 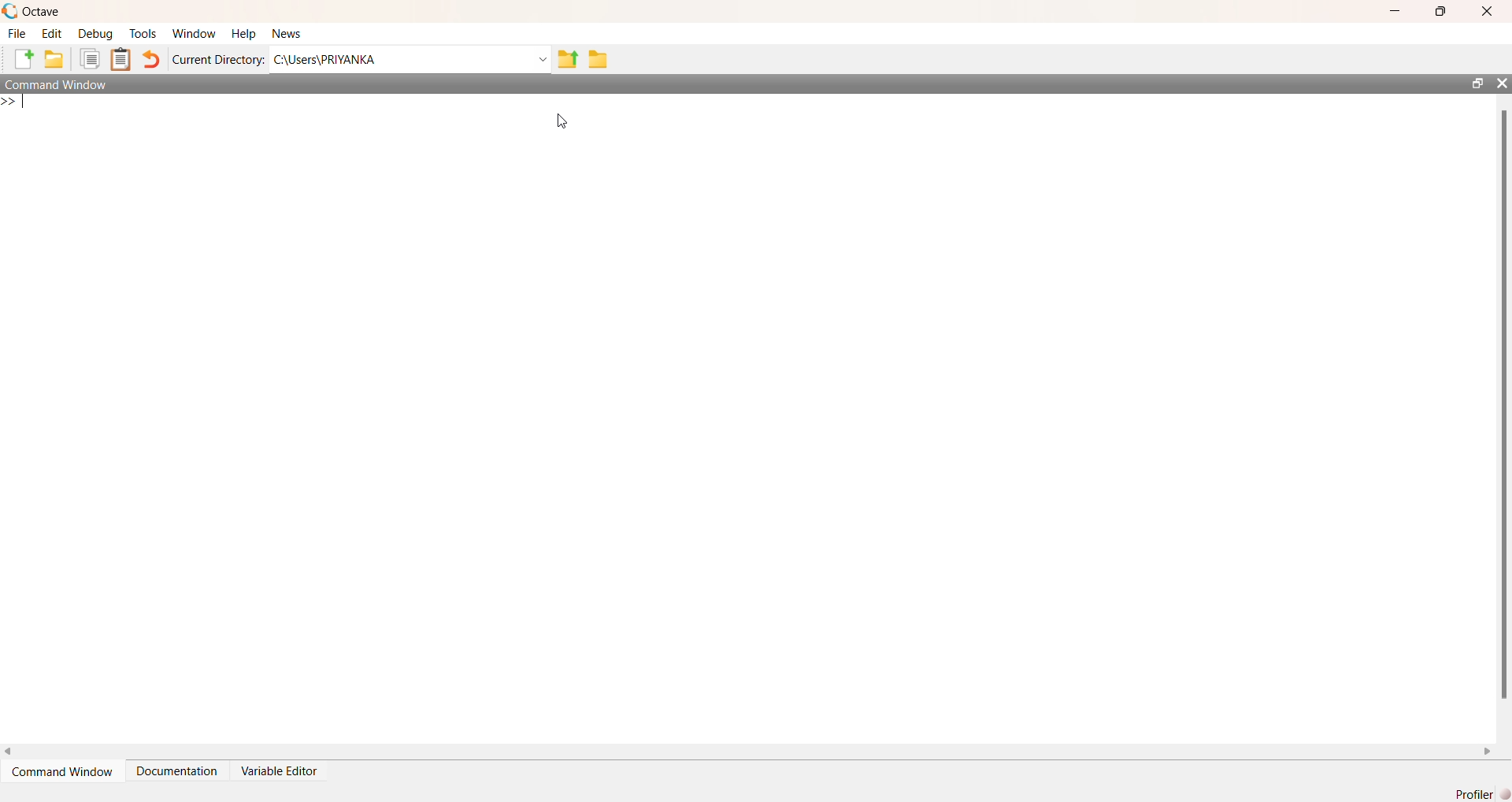 What do you see at coordinates (9, 748) in the screenshot?
I see `move left` at bounding box center [9, 748].